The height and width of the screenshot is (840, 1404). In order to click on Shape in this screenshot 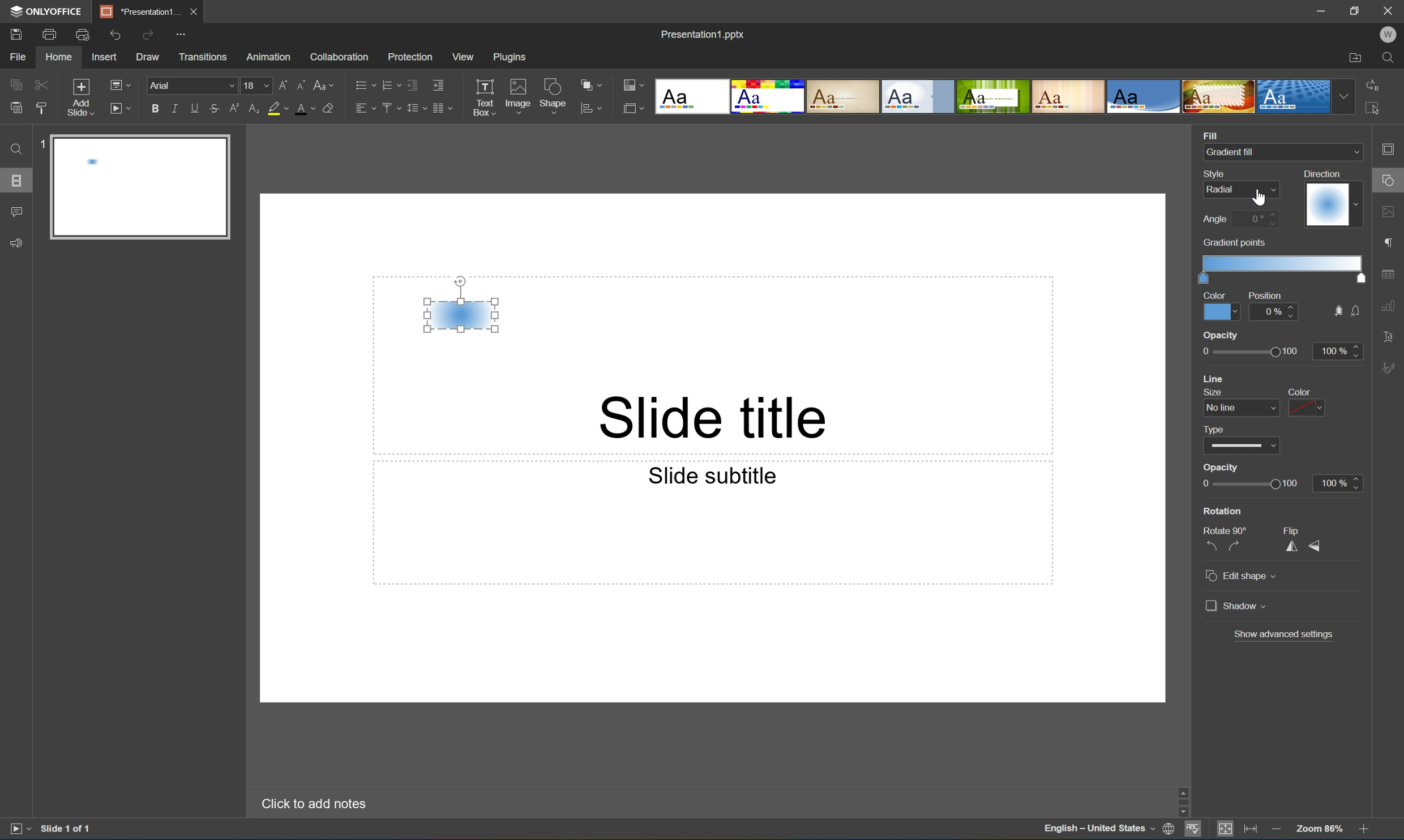, I will do `click(554, 98)`.